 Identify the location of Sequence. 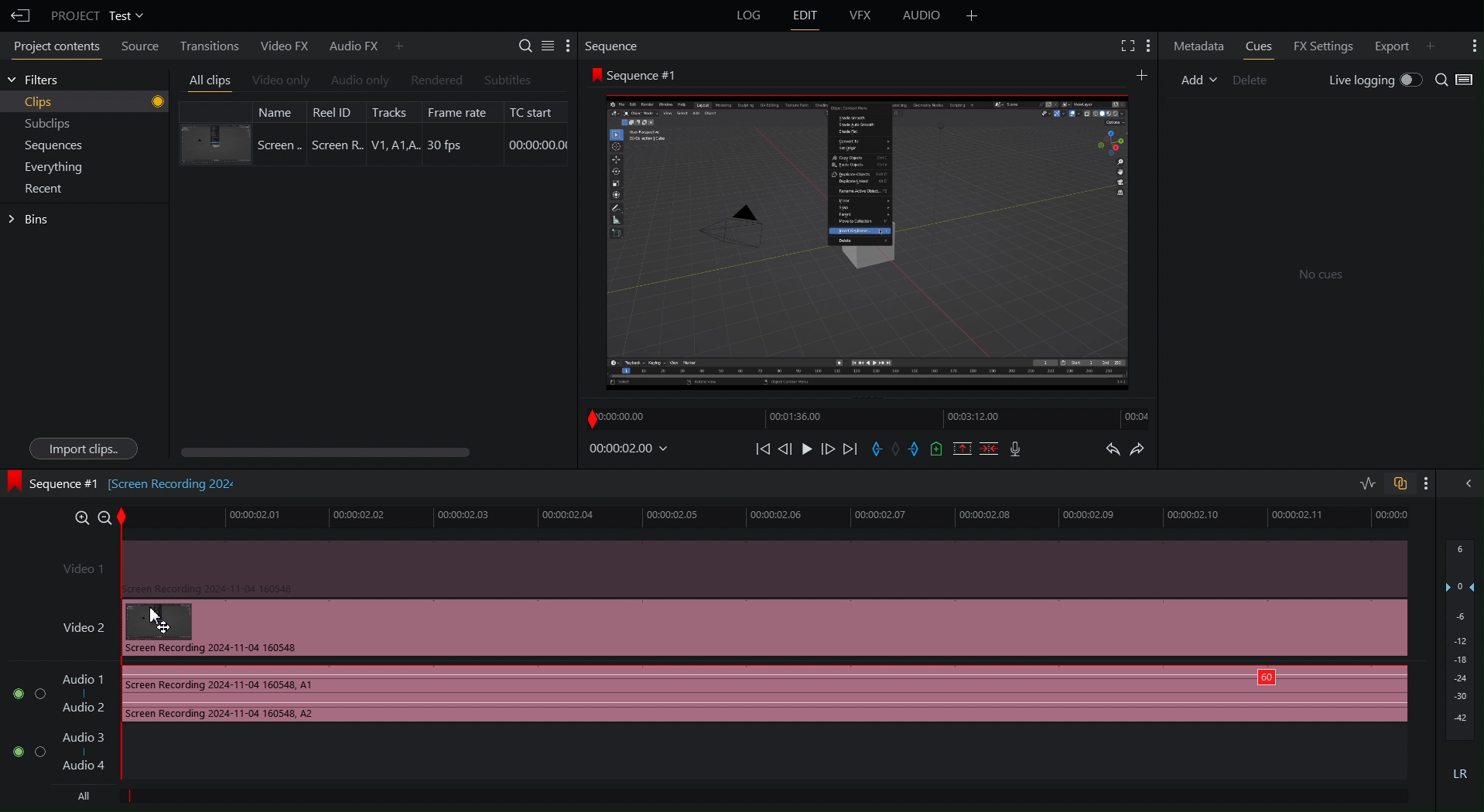
(616, 47).